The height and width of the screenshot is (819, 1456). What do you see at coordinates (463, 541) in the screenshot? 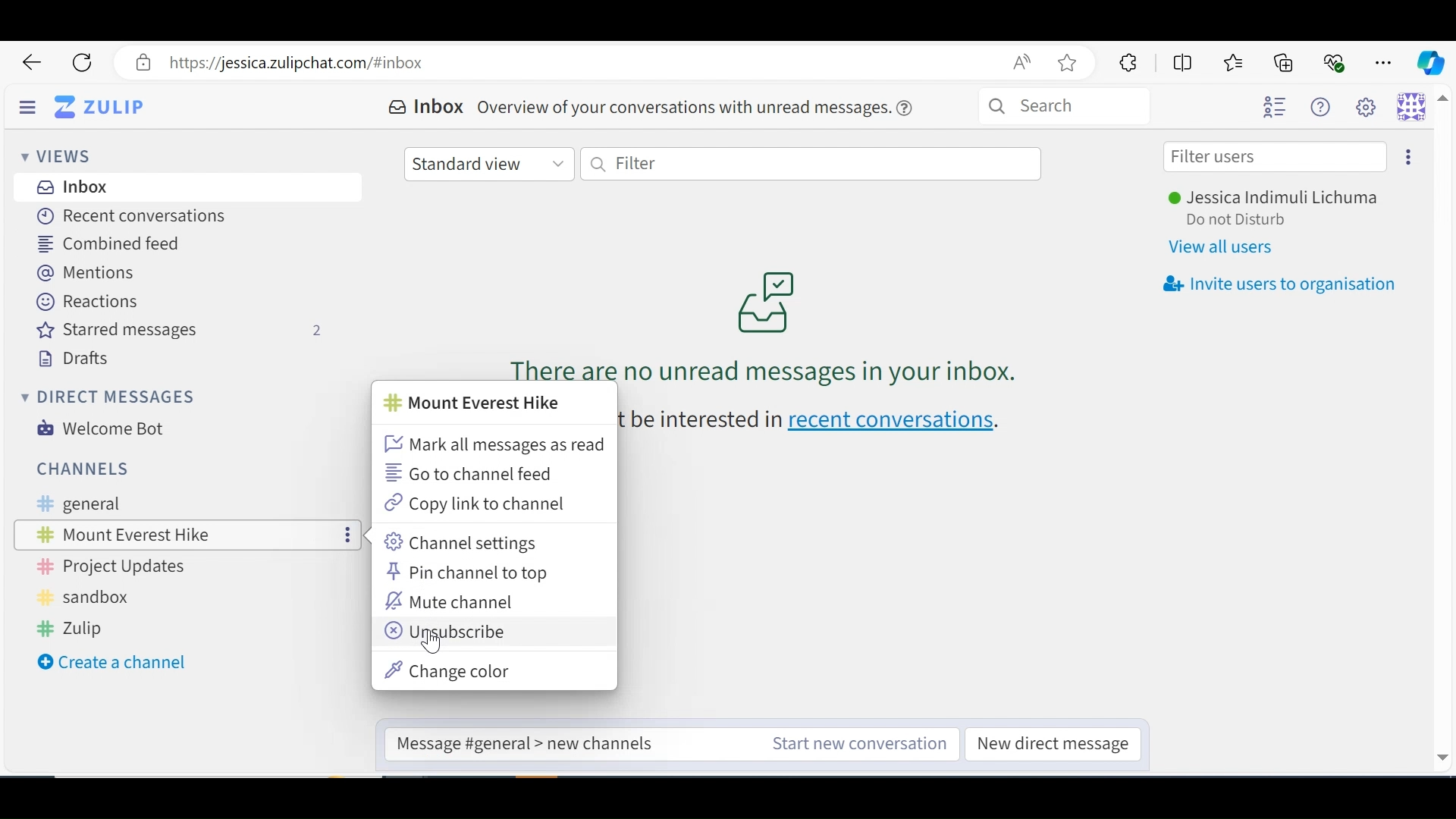
I see `Channel settings` at bounding box center [463, 541].